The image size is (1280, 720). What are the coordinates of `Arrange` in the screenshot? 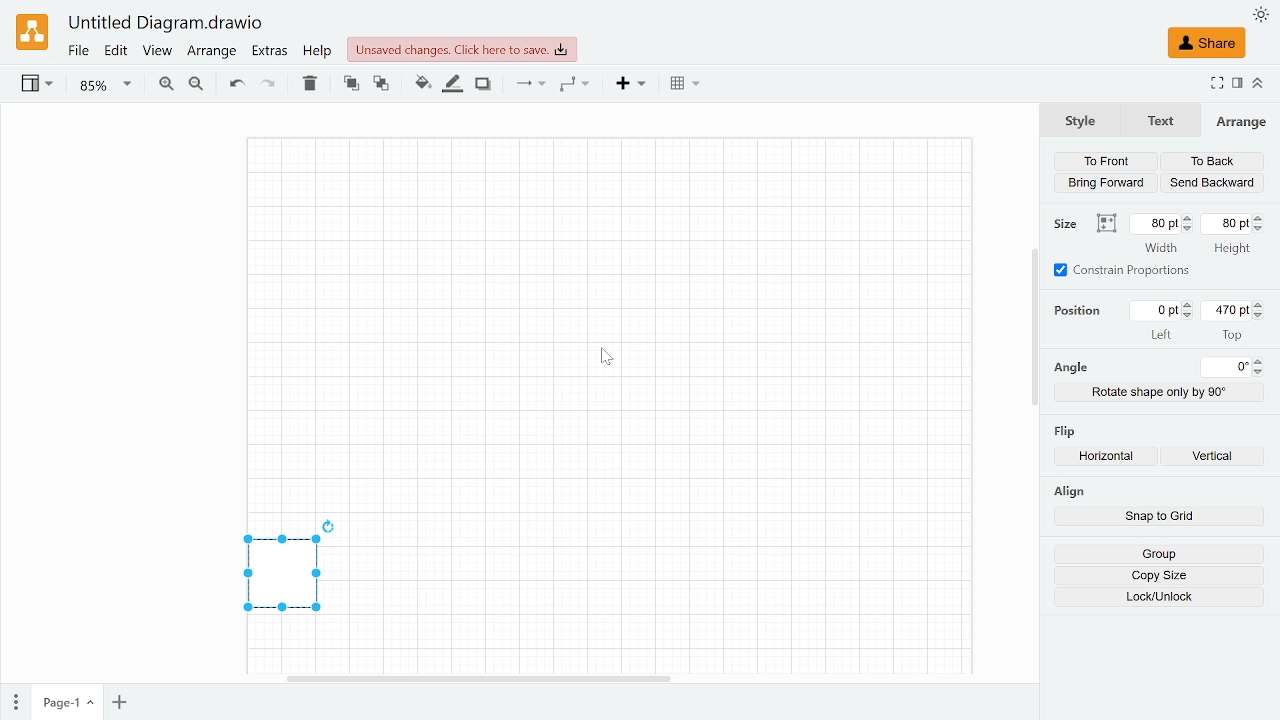 It's located at (1241, 121).